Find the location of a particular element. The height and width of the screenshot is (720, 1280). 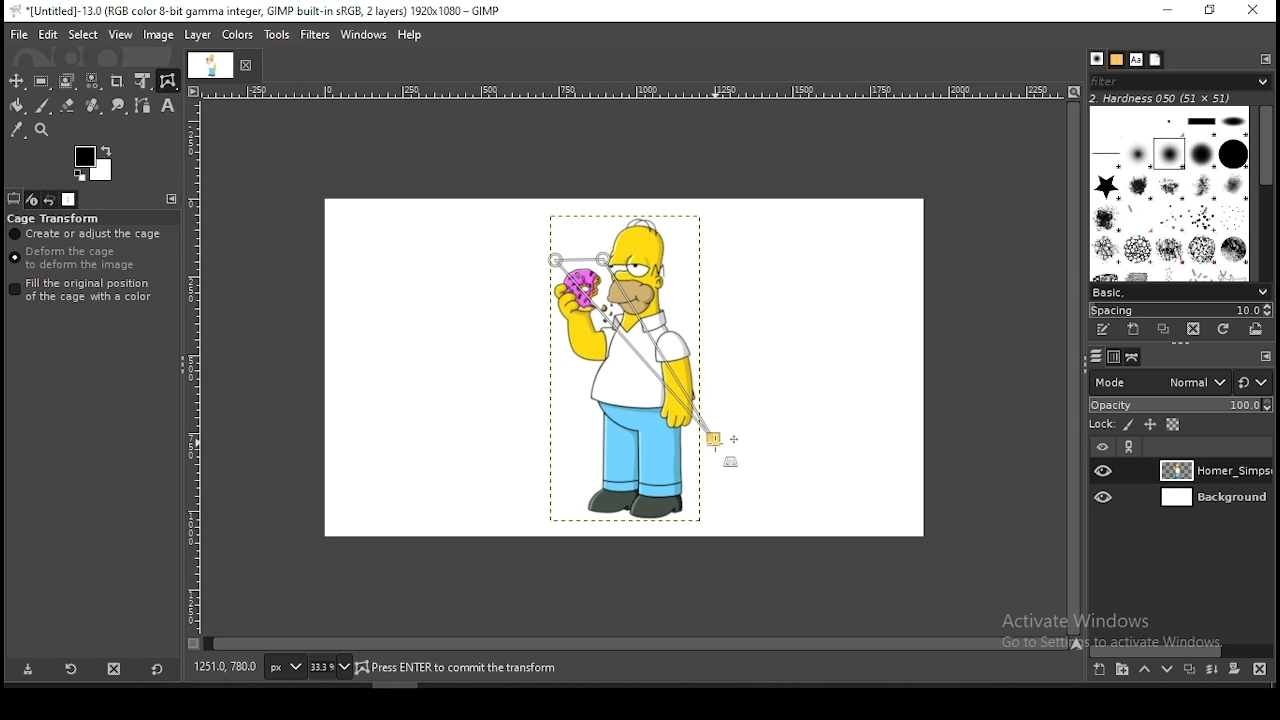

lock alpha channel is located at coordinates (1172, 426).